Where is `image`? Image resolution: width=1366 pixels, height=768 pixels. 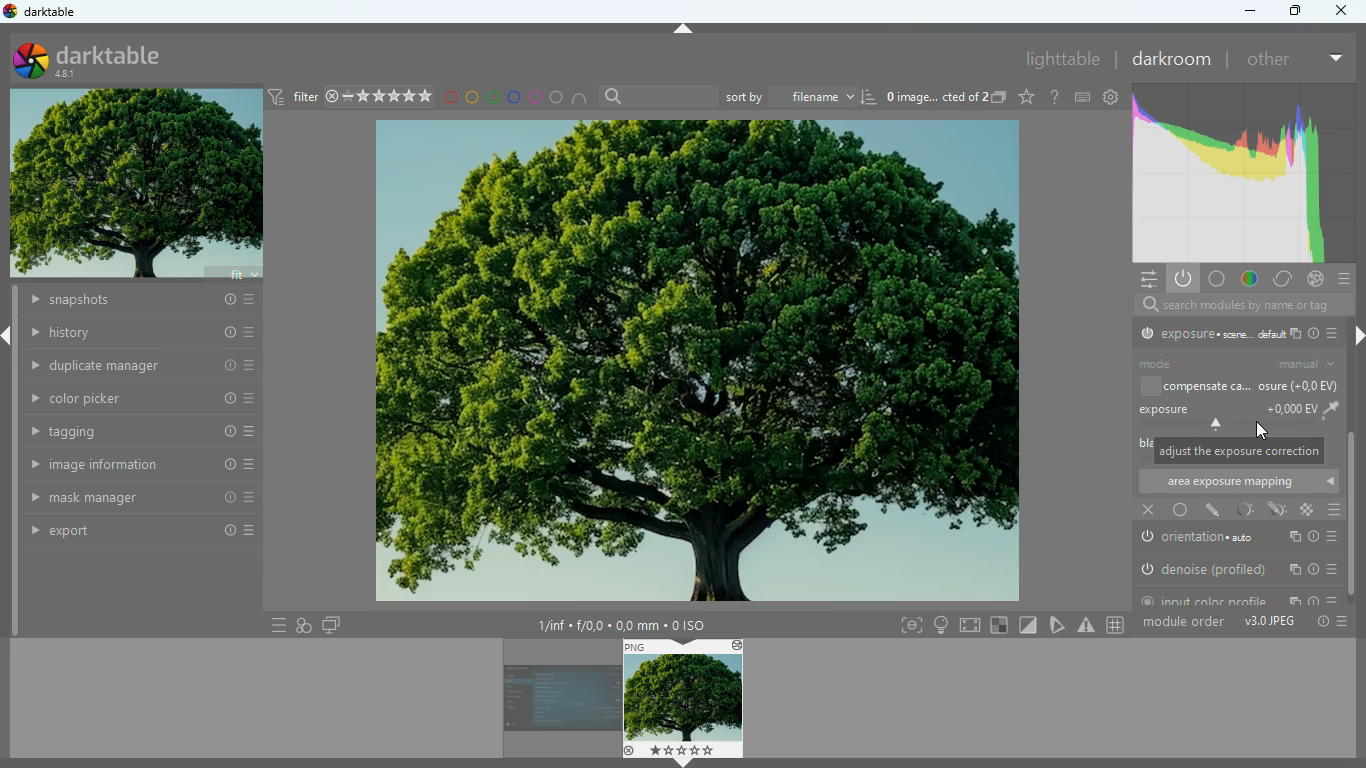
image is located at coordinates (136, 182).